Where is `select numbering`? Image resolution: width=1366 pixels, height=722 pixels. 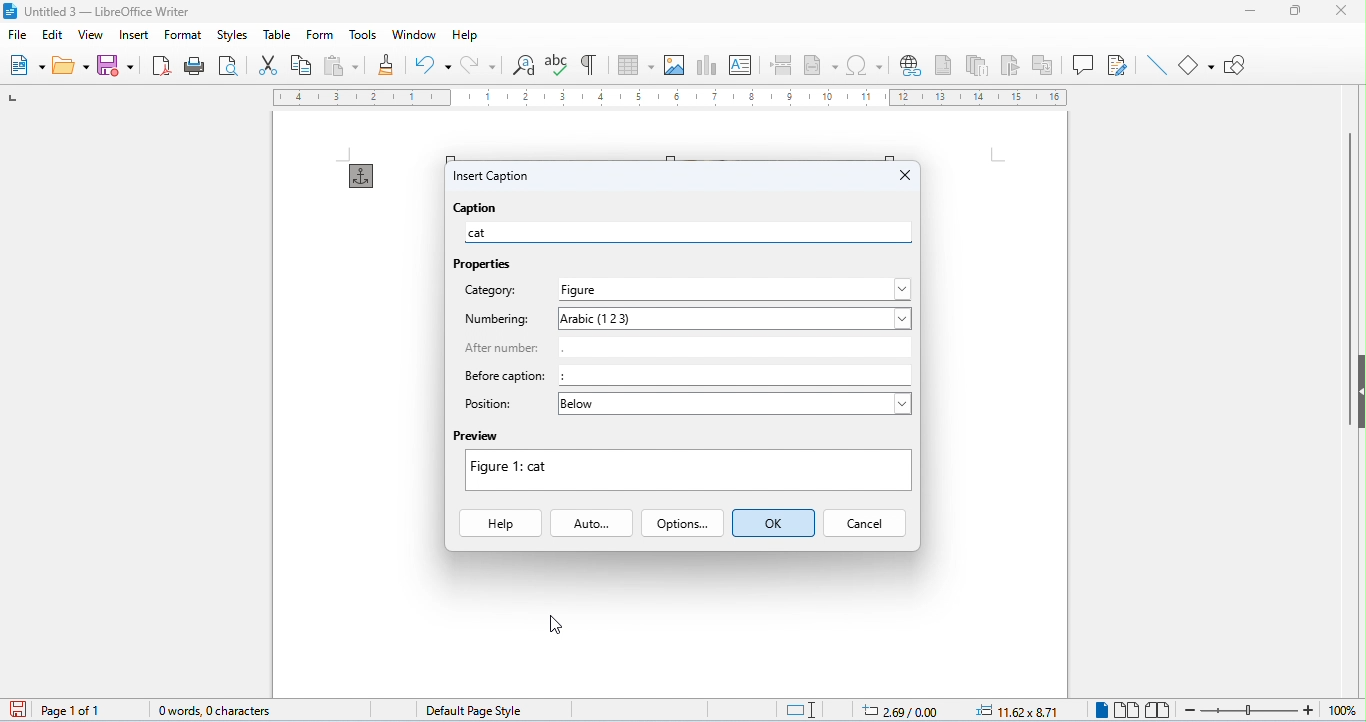
select numbering is located at coordinates (735, 319).